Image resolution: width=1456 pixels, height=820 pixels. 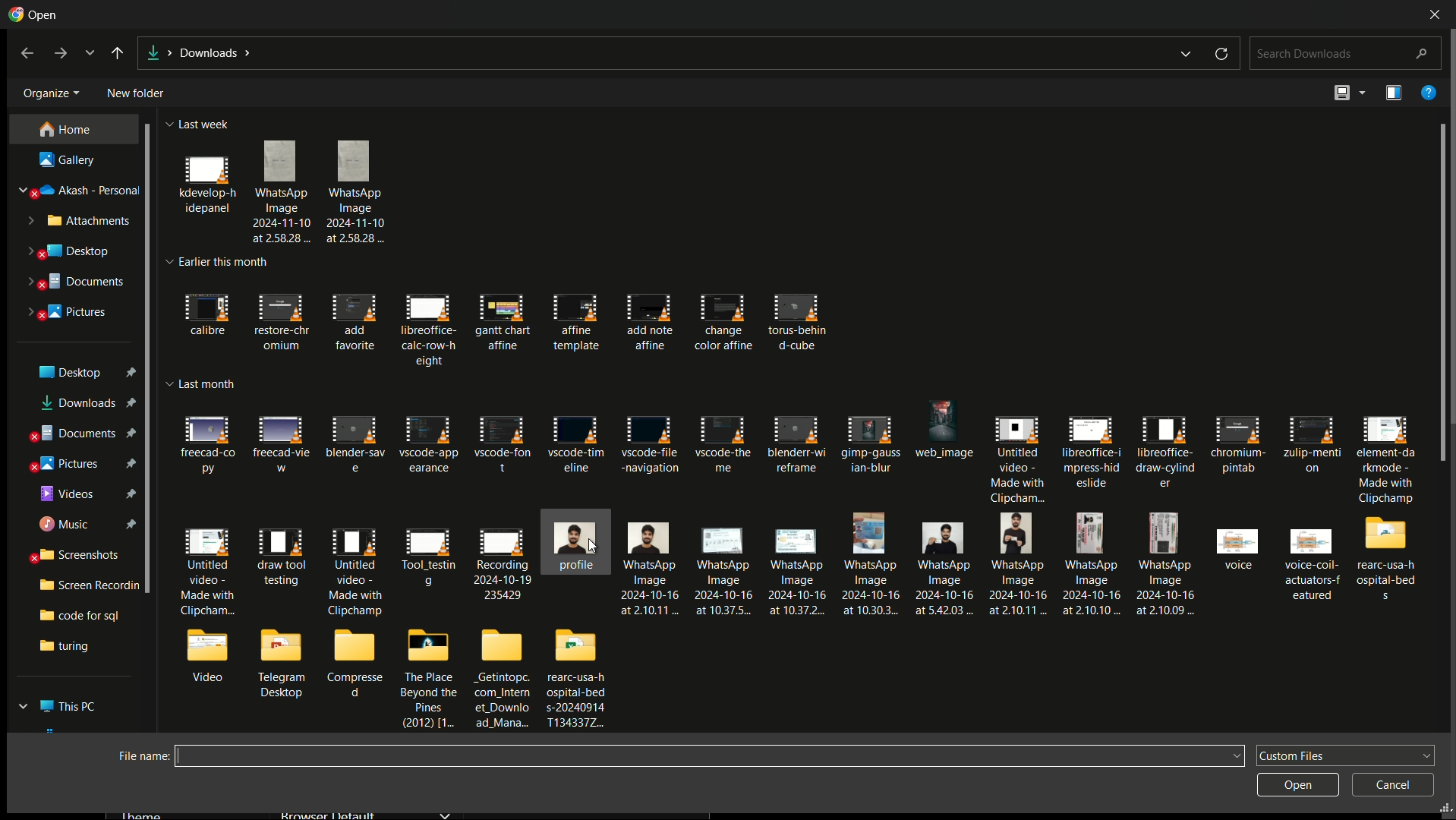 What do you see at coordinates (135, 93) in the screenshot?
I see `new folder` at bounding box center [135, 93].